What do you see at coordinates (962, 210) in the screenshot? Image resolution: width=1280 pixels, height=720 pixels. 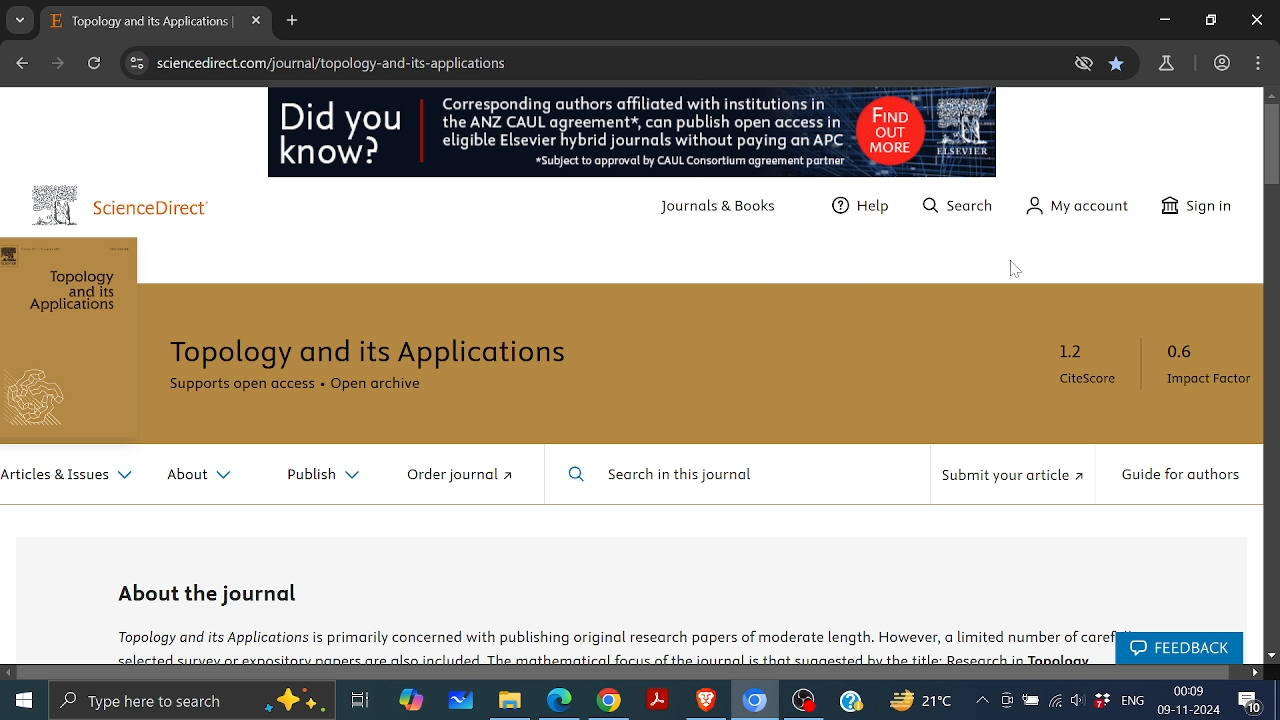 I see `search` at bounding box center [962, 210].